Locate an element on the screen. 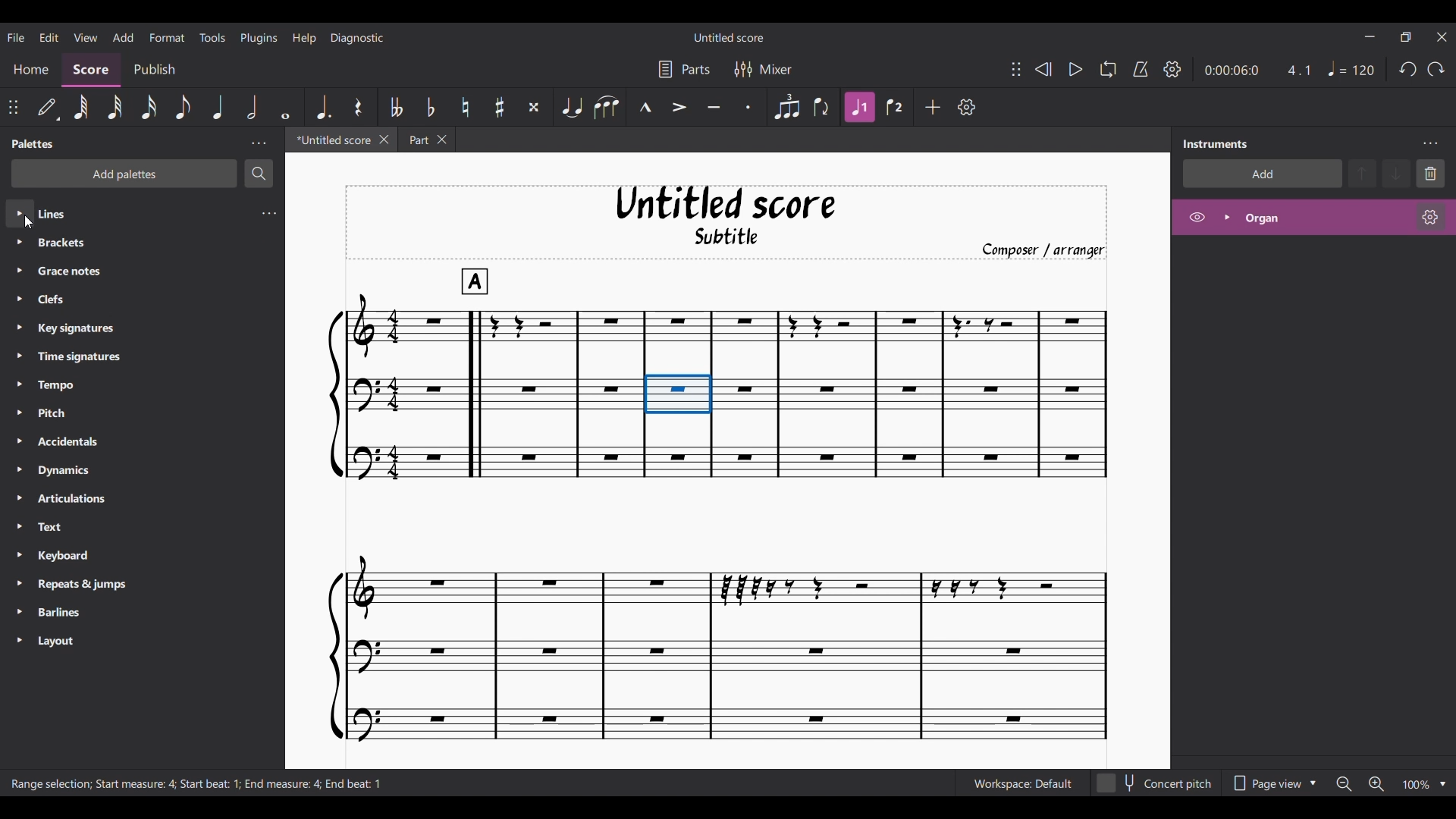 This screenshot has height=819, width=1456. Rest is located at coordinates (358, 106).